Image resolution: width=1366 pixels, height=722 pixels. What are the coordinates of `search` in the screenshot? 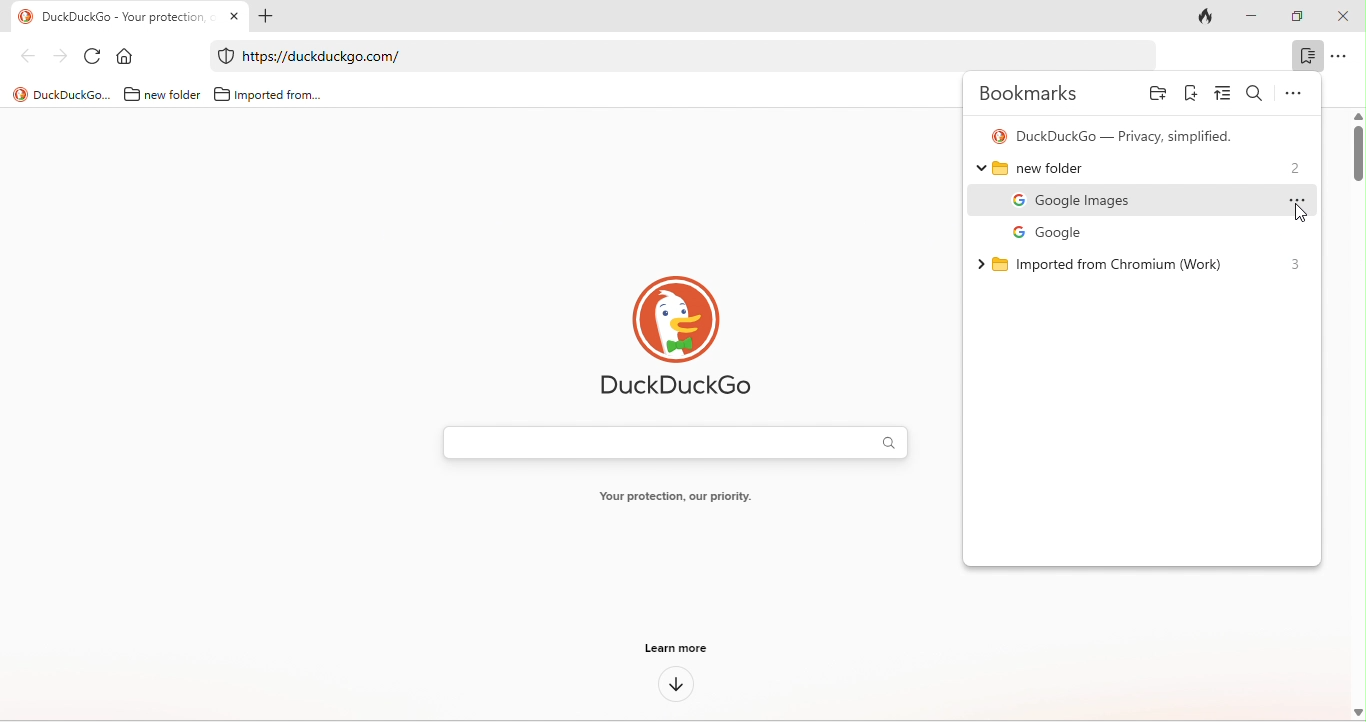 It's located at (1255, 94).